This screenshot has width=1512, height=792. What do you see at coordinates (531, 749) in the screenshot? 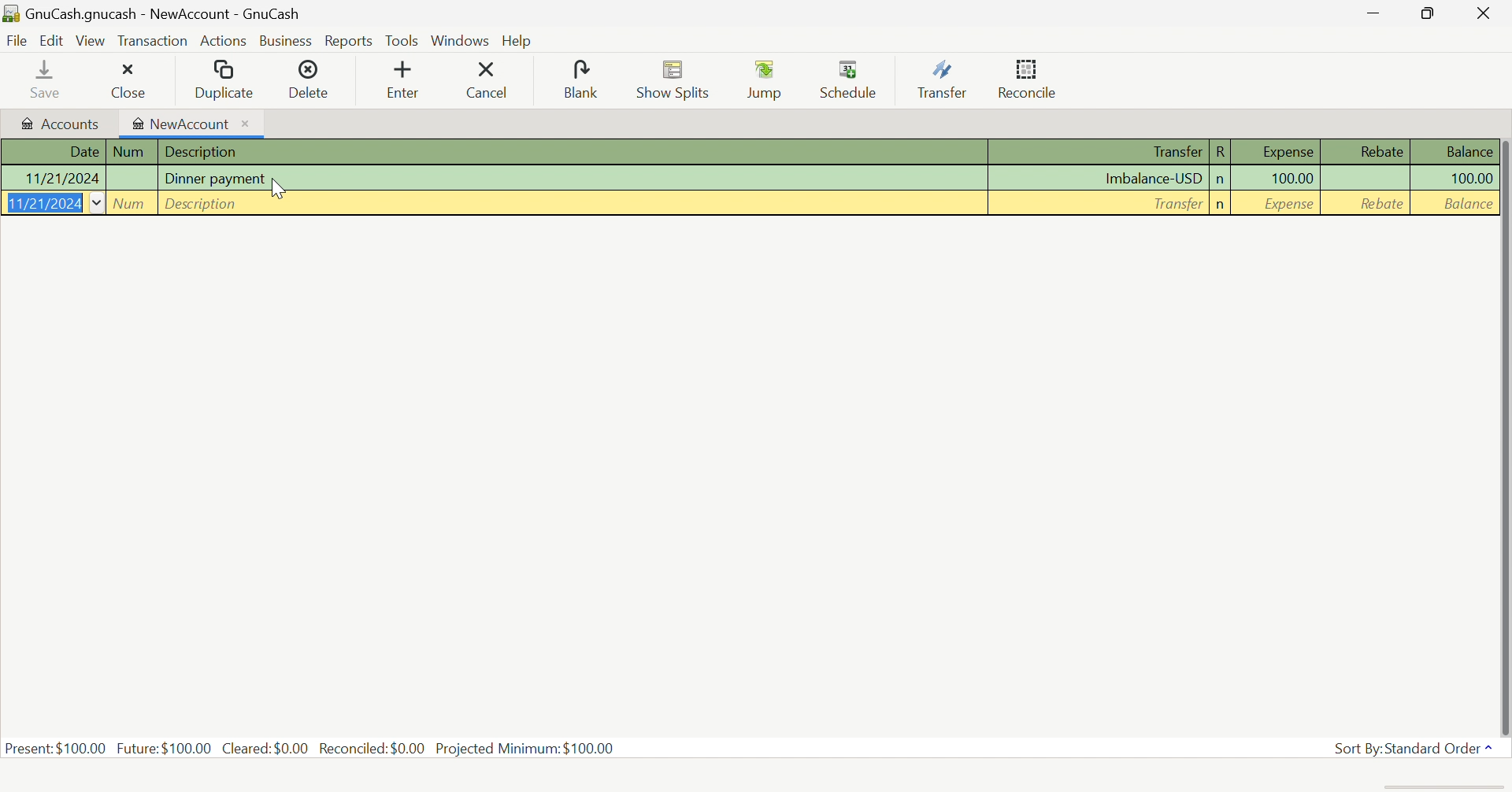
I see `Projected Minimum: $100.00` at bounding box center [531, 749].